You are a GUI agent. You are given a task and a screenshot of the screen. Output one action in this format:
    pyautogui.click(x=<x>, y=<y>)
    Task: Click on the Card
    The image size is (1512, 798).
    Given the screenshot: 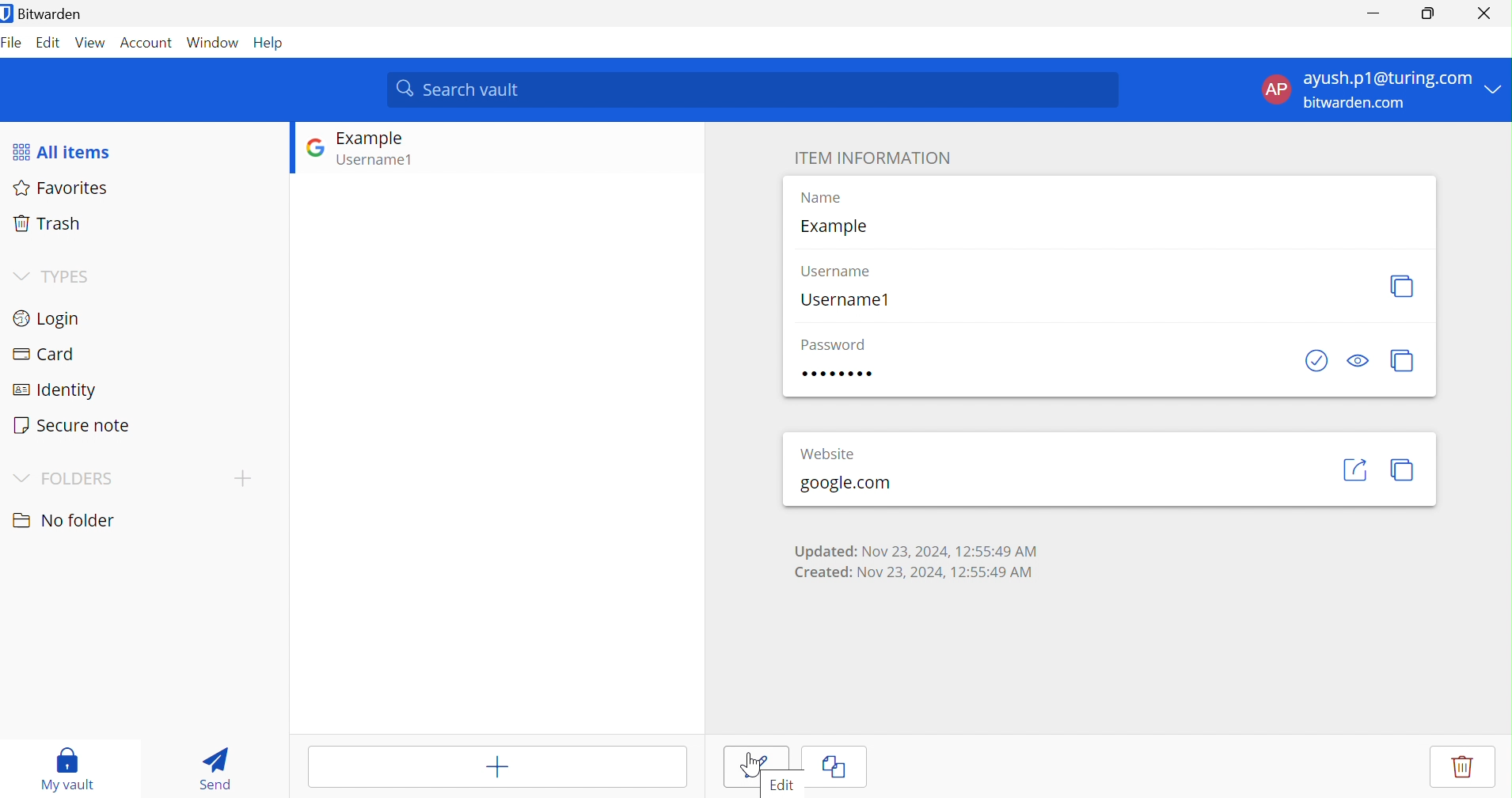 What is the action you would take?
    pyautogui.click(x=44, y=352)
    